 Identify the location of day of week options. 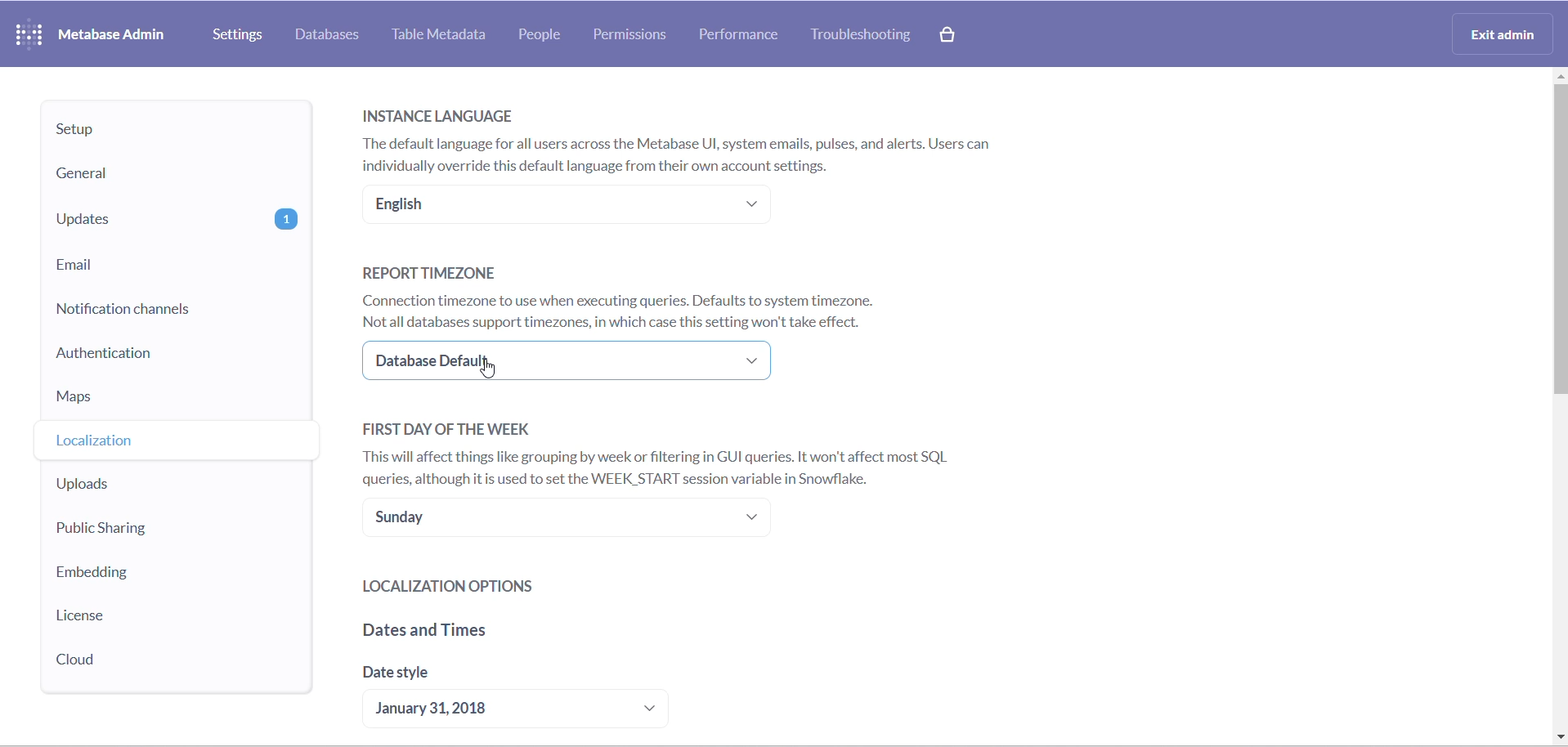
(572, 521).